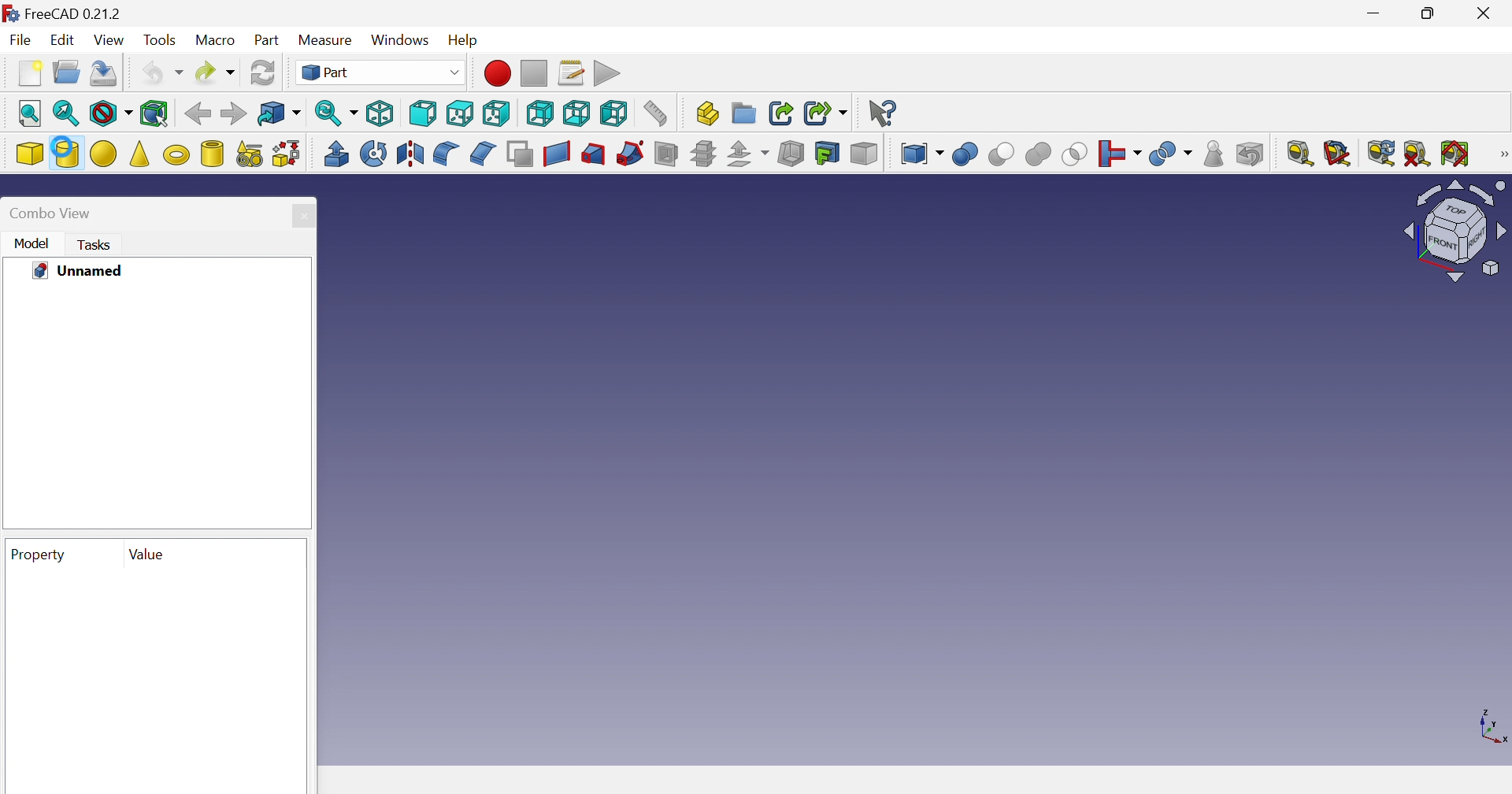 This screenshot has width=1512, height=794. What do you see at coordinates (328, 39) in the screenshot?
I see `Measure` at bounding box center [328, 39].